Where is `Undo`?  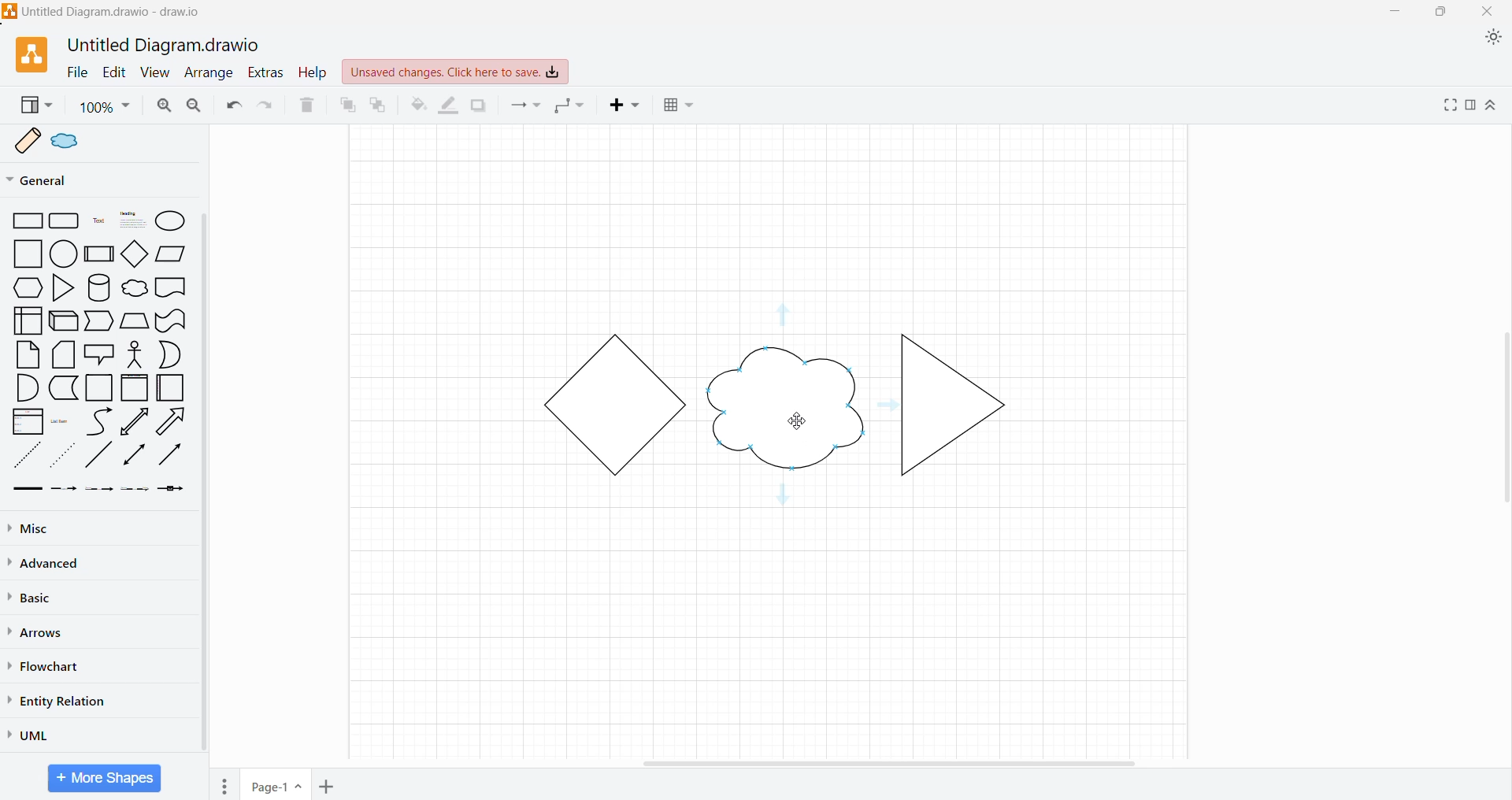 Undo is located at coordinates (233, 107).